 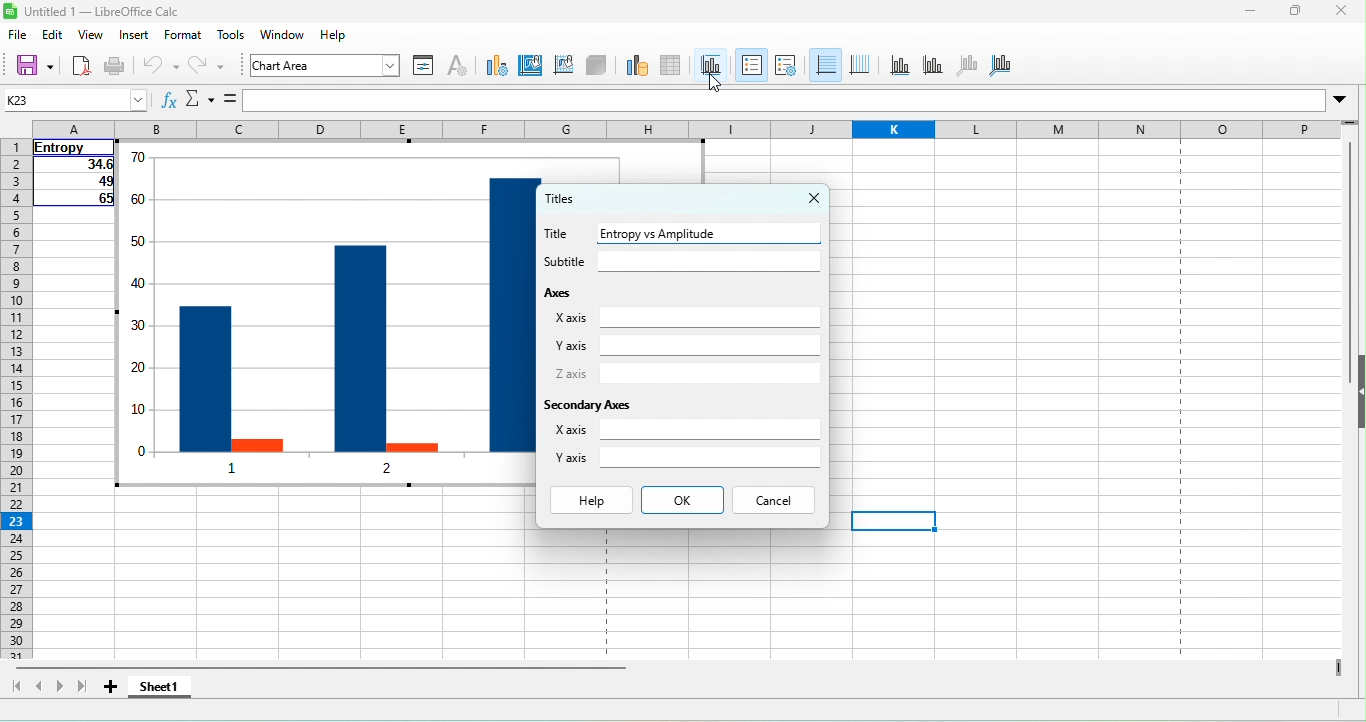 I want to click on 1, so click(x=234, y=466).